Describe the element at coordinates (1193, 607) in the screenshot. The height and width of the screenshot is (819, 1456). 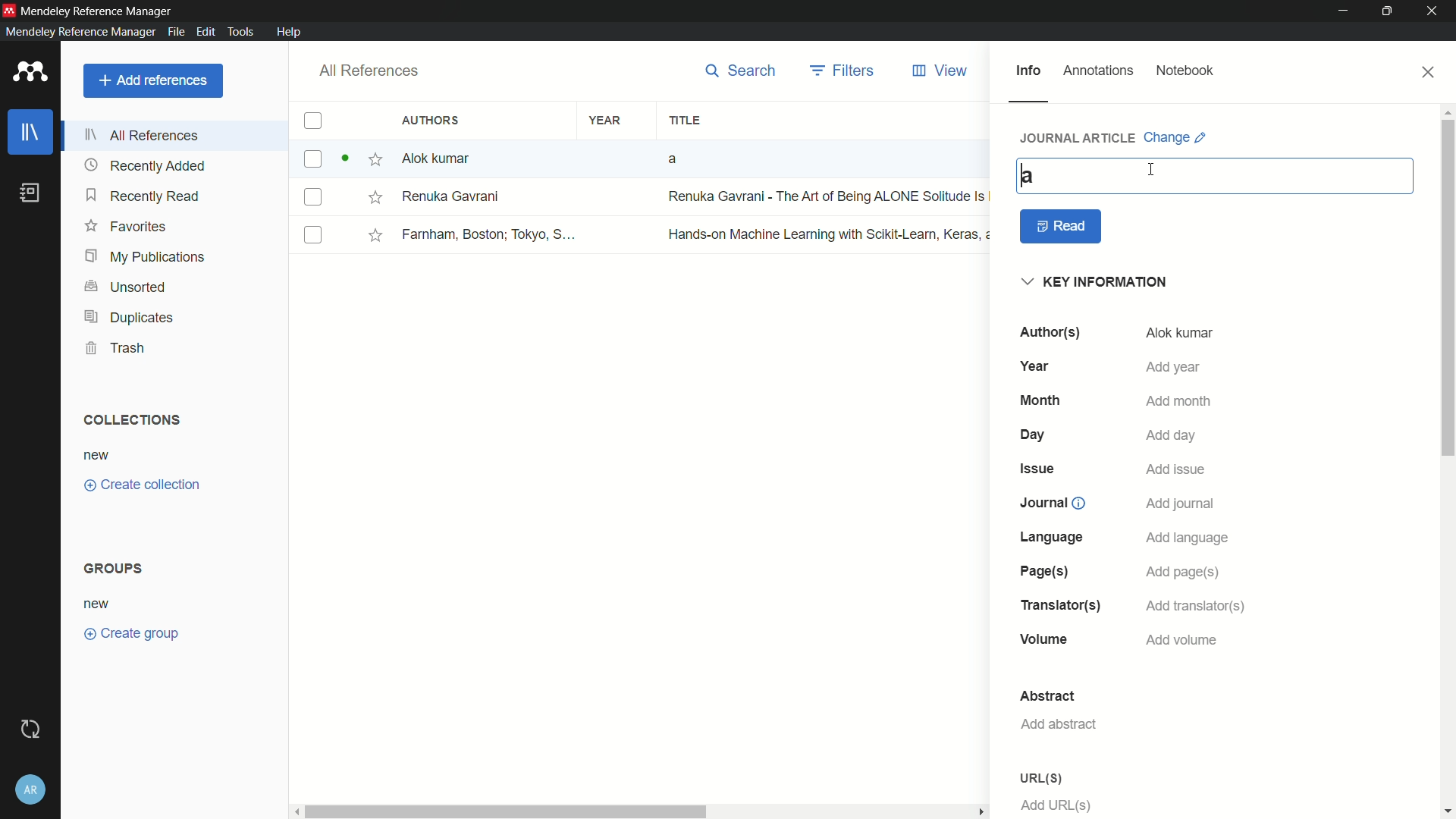
I see `add translator` at that location.